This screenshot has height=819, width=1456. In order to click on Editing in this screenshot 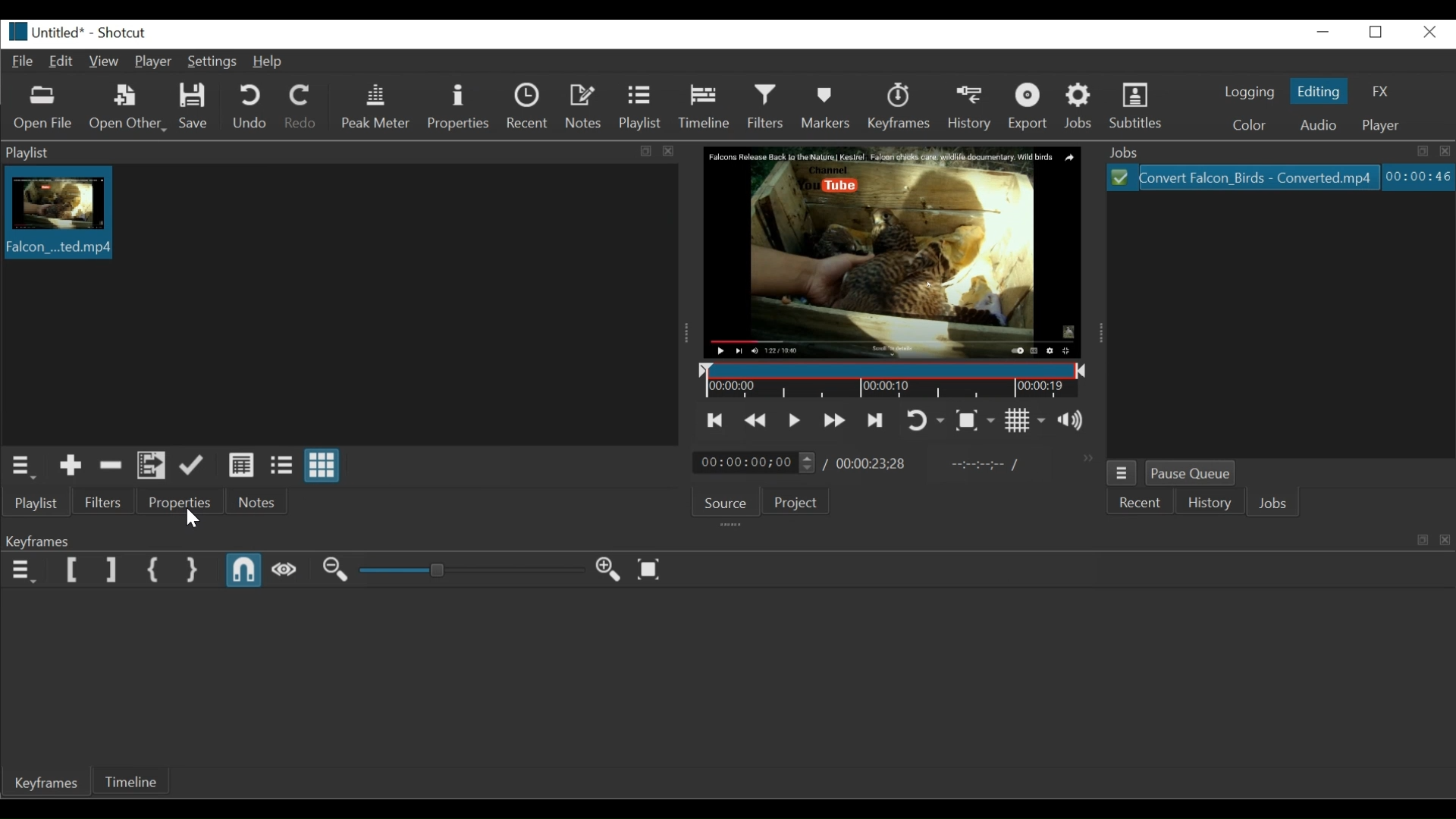, I will do `click(1322, 90)`.